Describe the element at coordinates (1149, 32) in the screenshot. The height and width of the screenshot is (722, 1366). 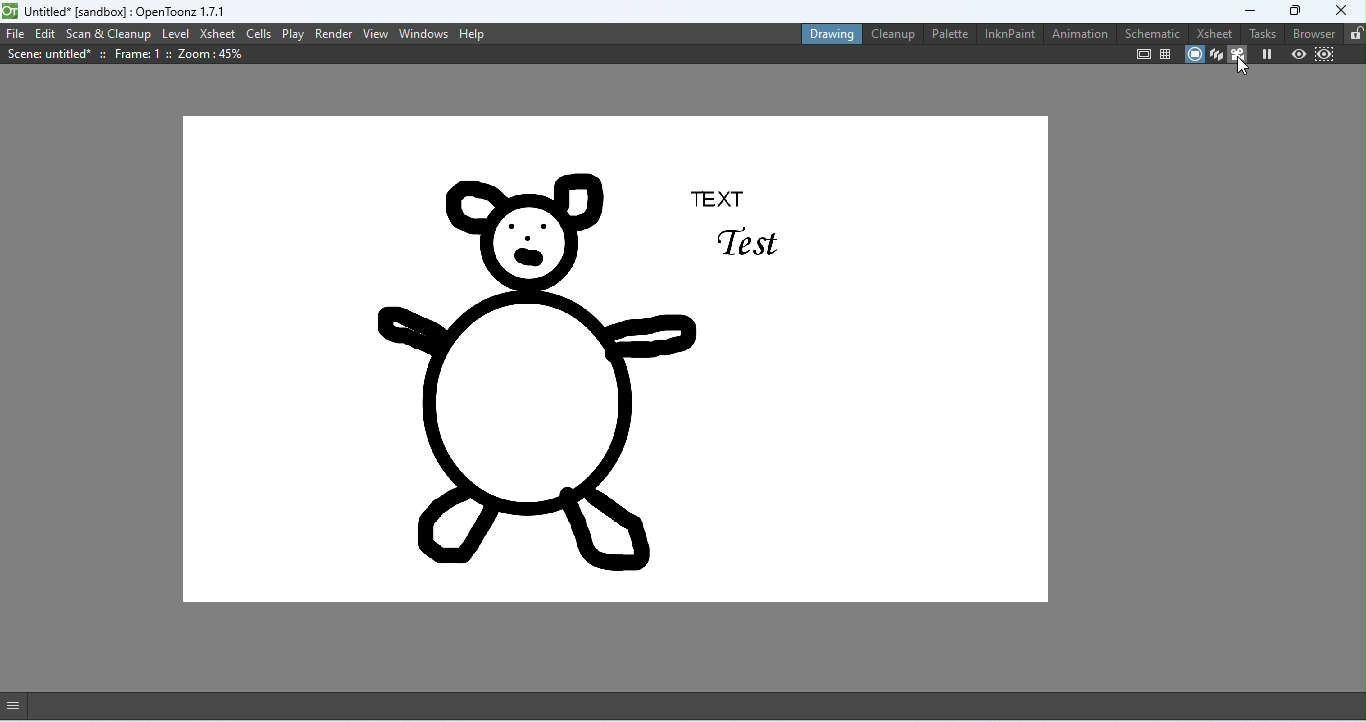
I see `Schematic` at that location.